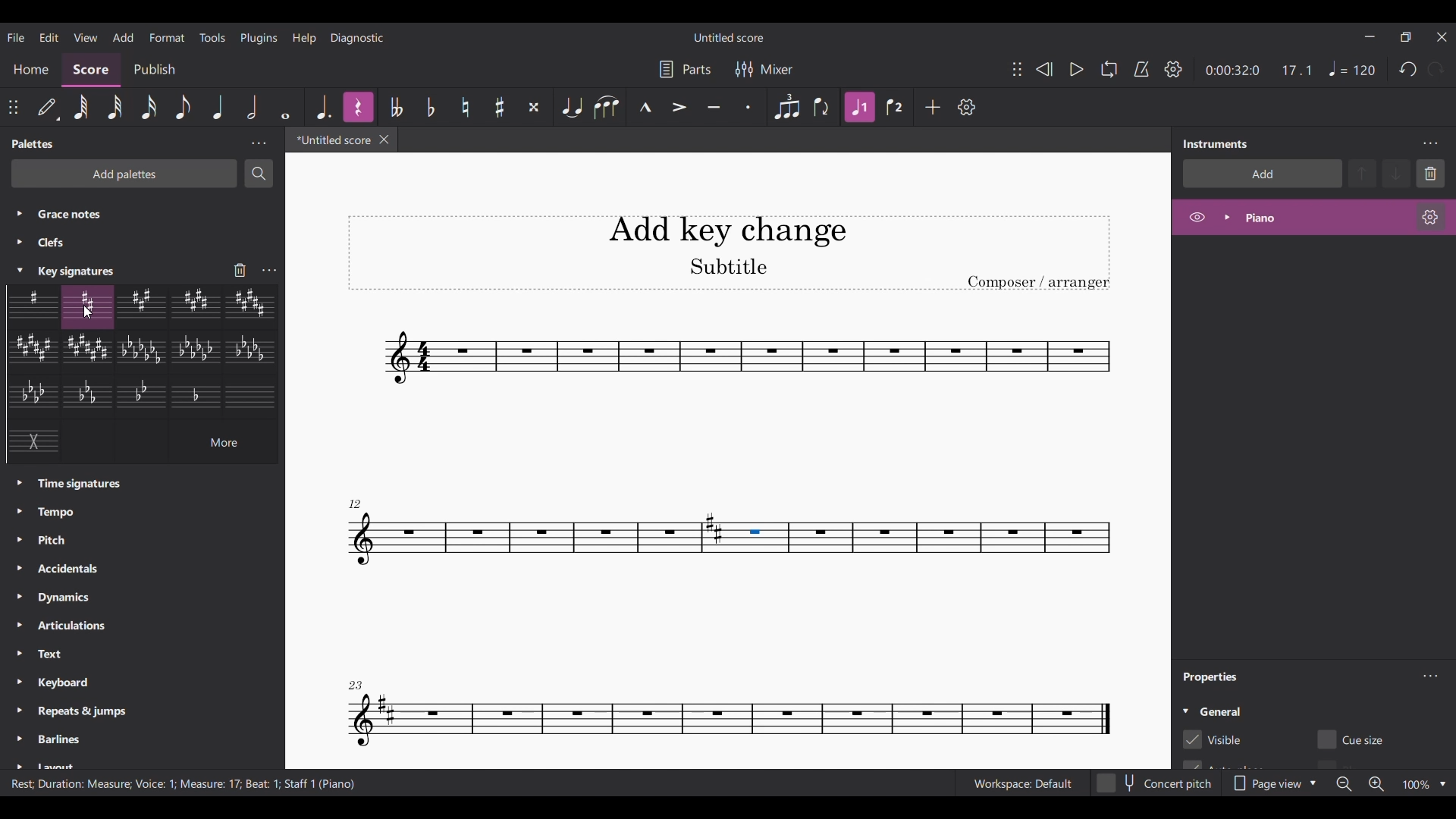  Describe the element at coordinates (749, 107) in the screenshot. I see `Staccato` at that location.